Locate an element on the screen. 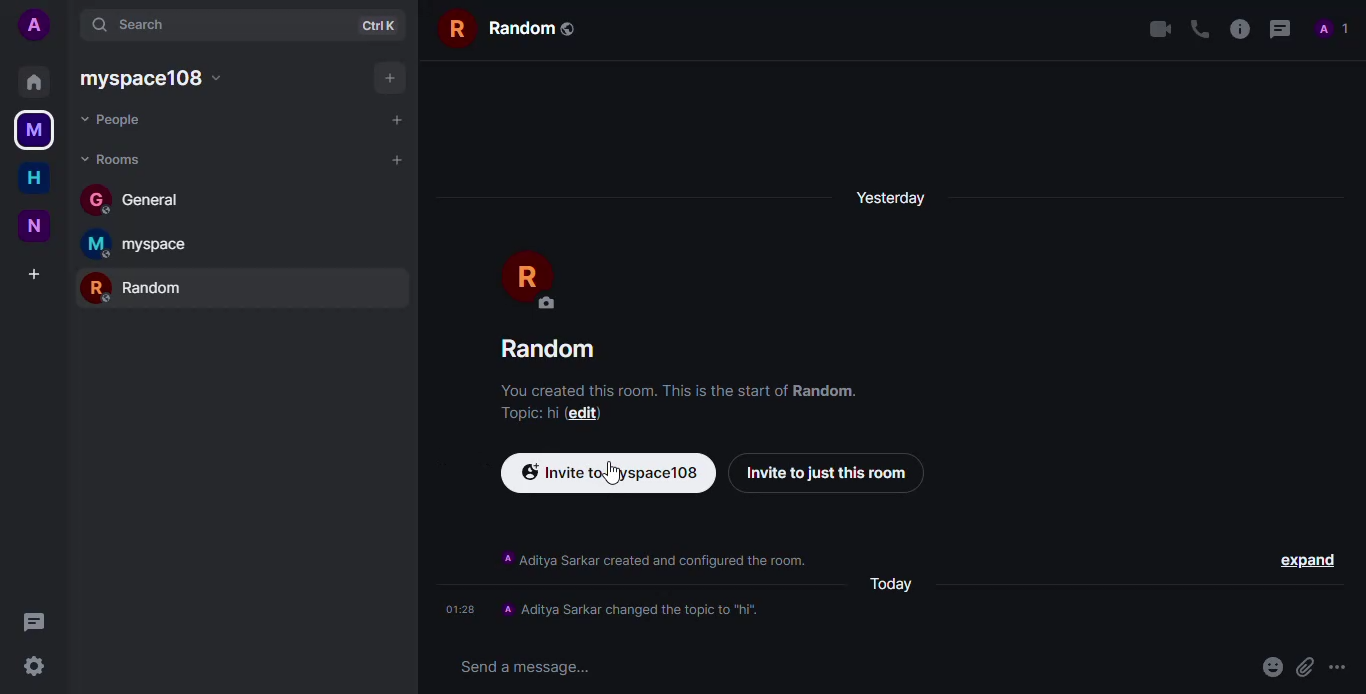  attach is located at coordinates (1303, 667).